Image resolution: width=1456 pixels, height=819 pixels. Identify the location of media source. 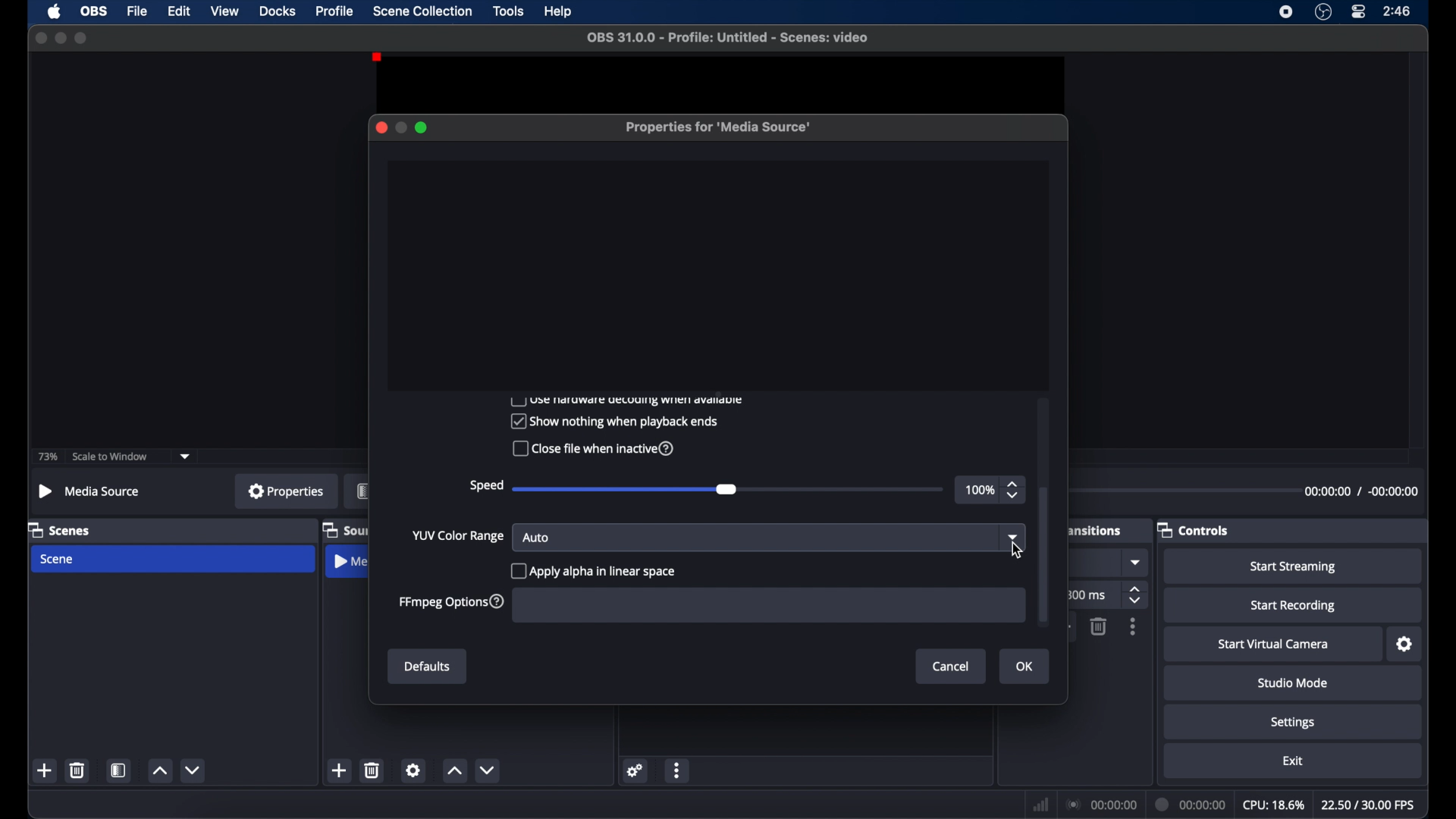
(88, 491).